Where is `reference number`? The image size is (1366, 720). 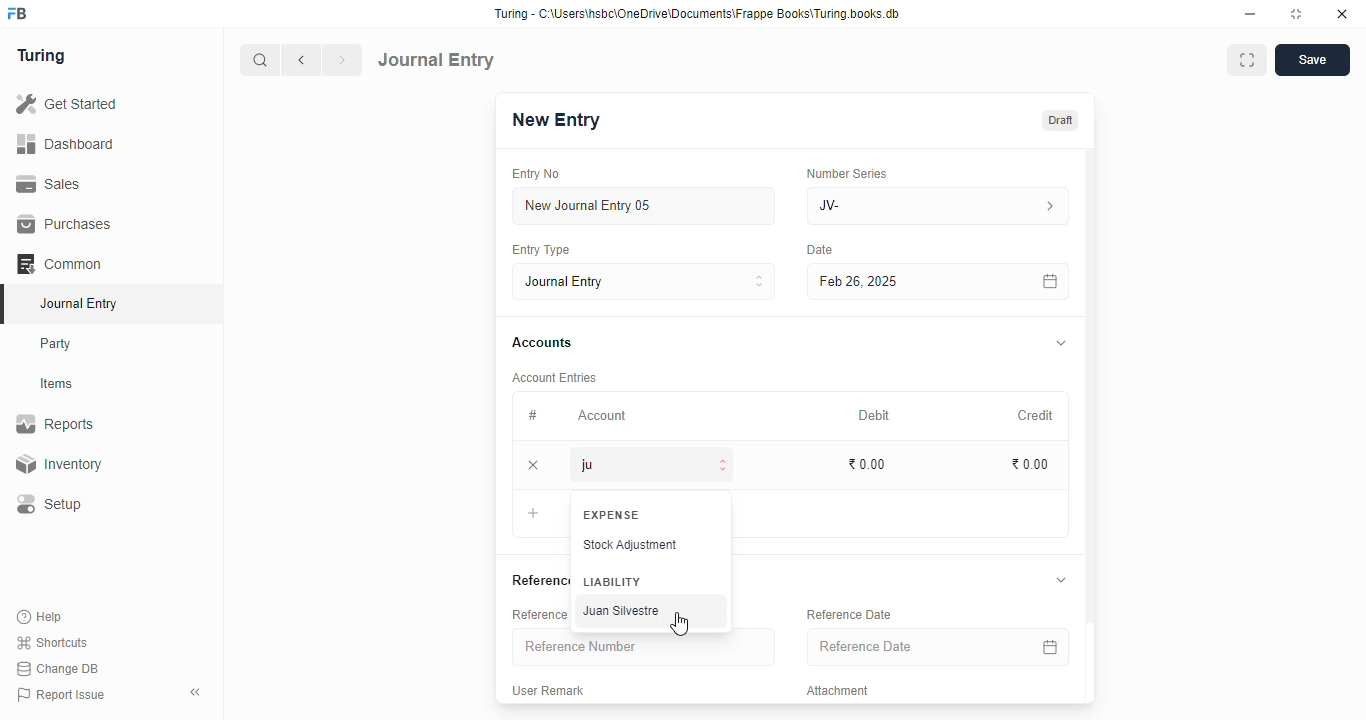
reference number is located at coordinates (644, 652).